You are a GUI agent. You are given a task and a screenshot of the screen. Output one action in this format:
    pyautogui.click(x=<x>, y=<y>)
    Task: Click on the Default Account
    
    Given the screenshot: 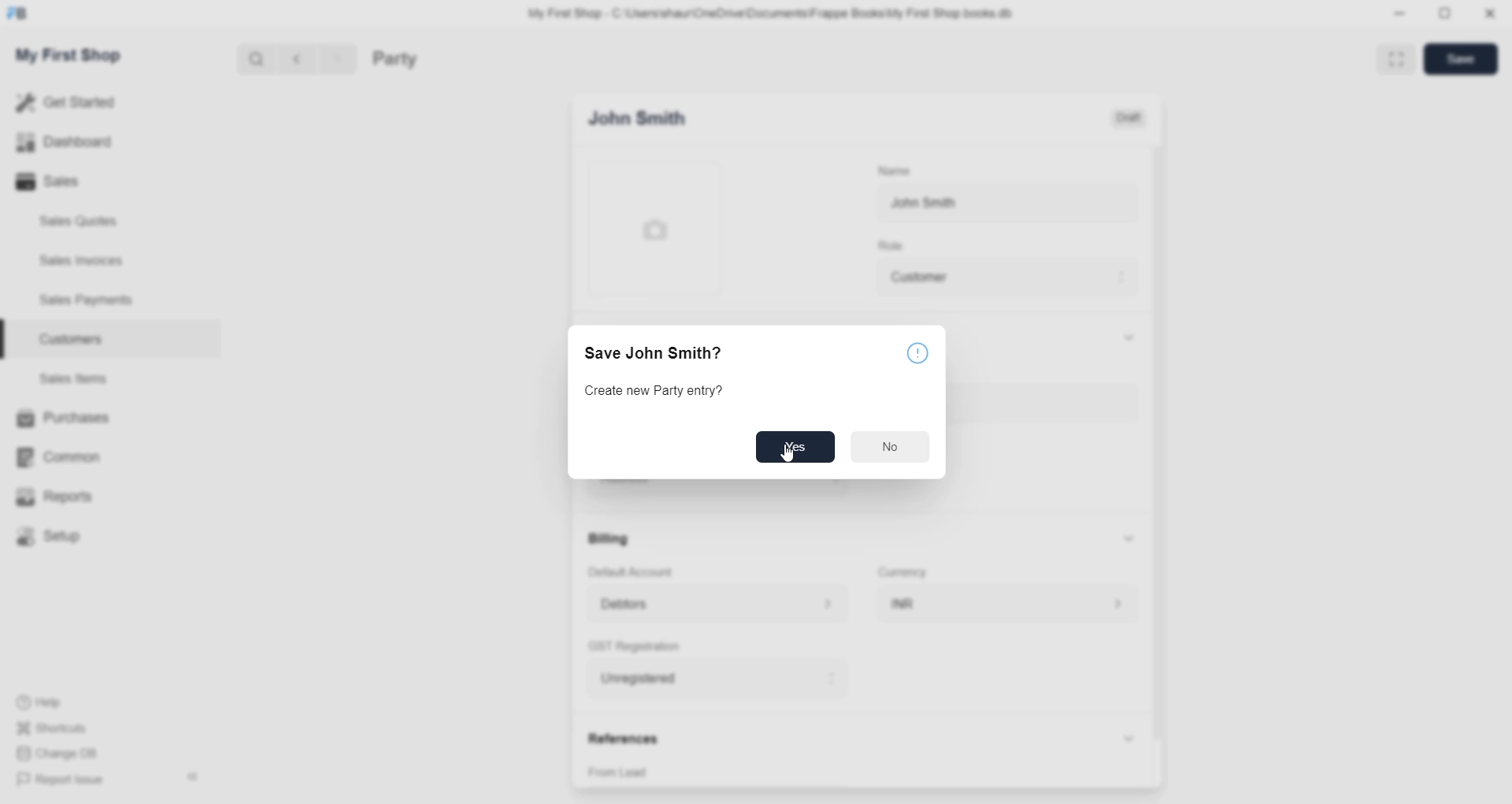 What is the action you would take?
    pyautogui.click(x=643, y=570)
    